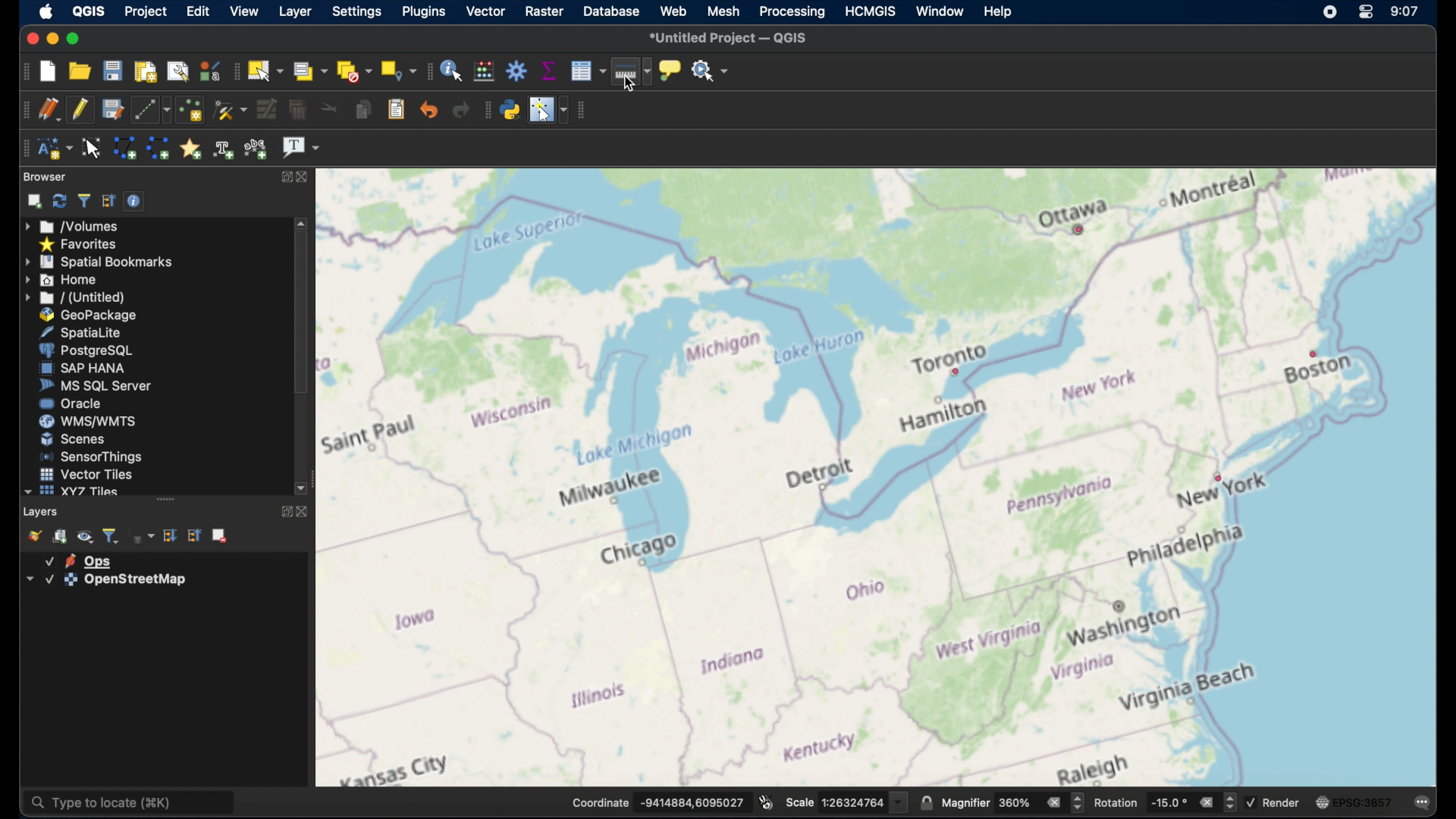 The width and height of the screenshot is (1456, 819). What do you see at coordinates (146, 11) in the screenshot?
I see `project` at bounding box center [146, 11].